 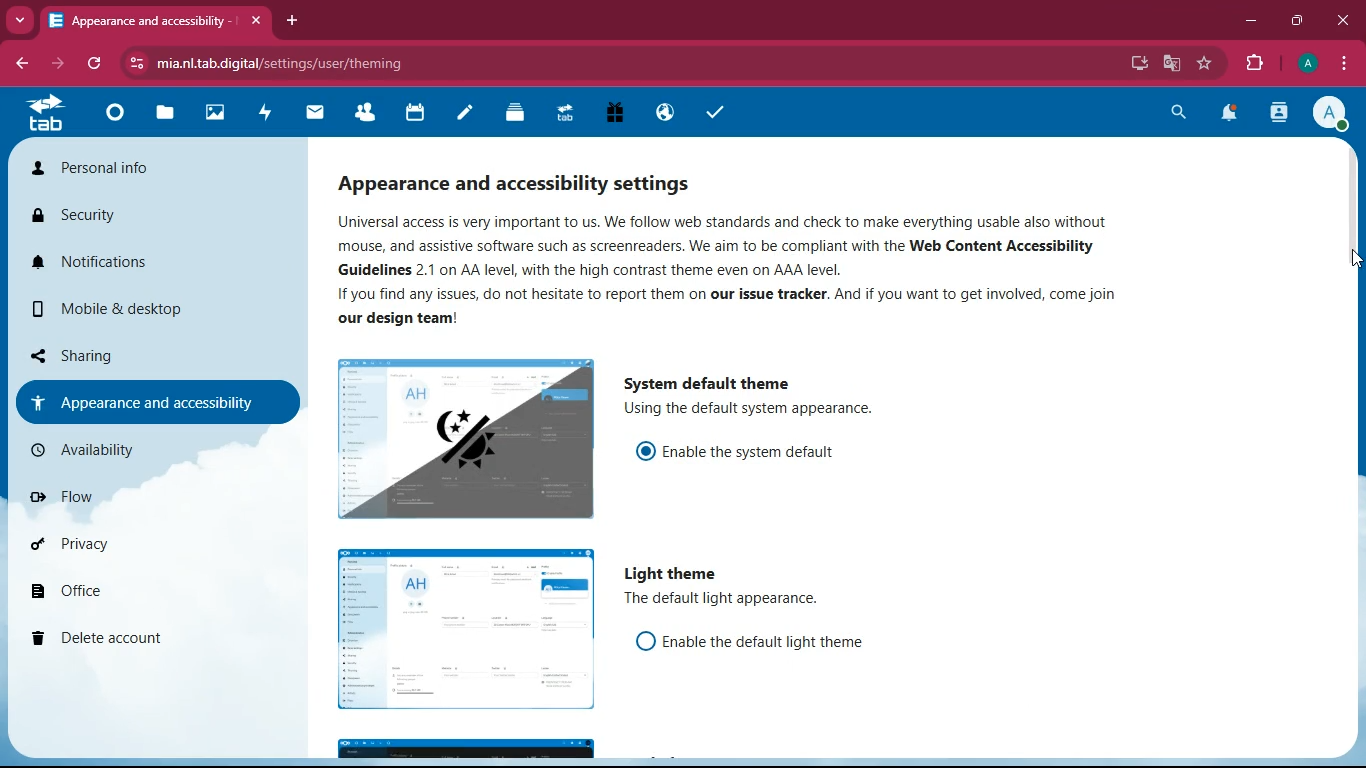 What do you see at coordinates (46, 113) in the screenshot?
I see `tab` at bounding box center [46, 113].